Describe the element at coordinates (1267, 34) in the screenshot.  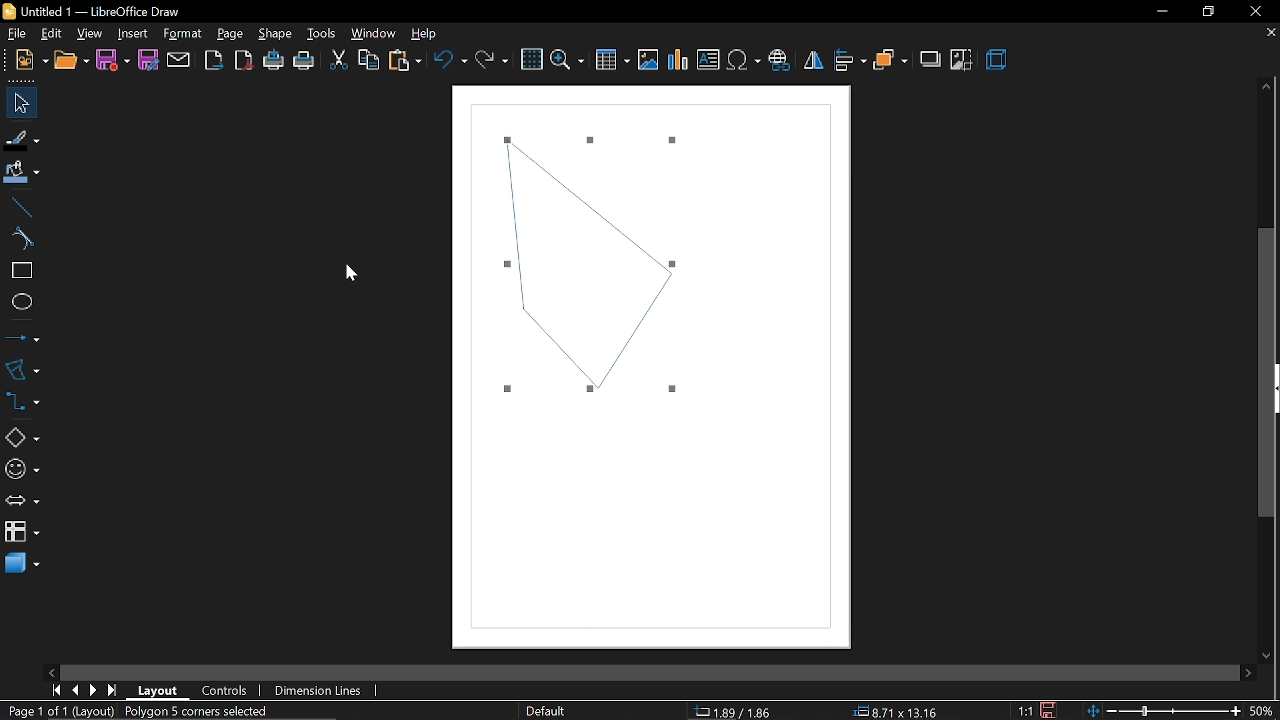
I see `close current tab` at that location.